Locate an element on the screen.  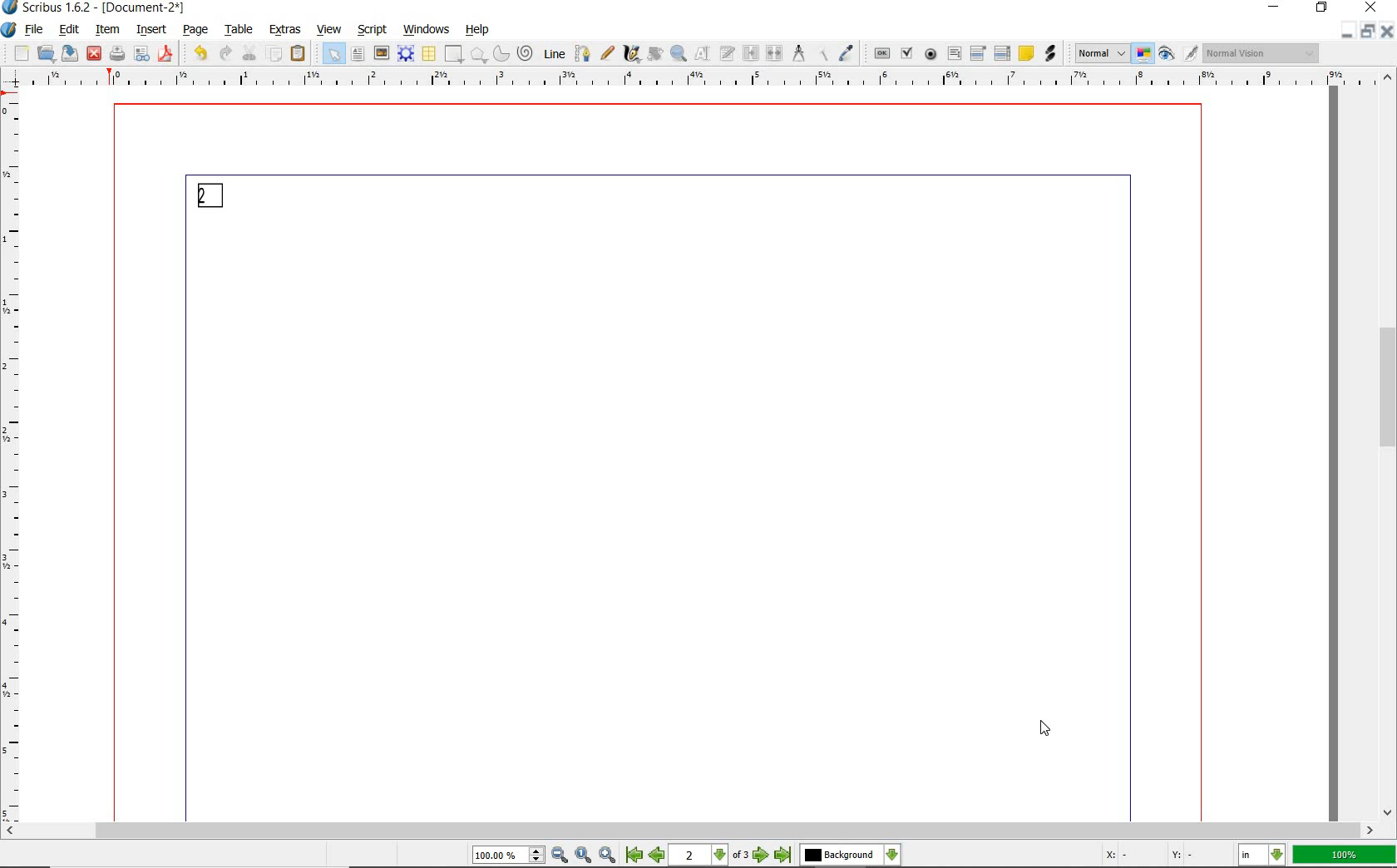
preview mode is located at coordinates (1167, 55).